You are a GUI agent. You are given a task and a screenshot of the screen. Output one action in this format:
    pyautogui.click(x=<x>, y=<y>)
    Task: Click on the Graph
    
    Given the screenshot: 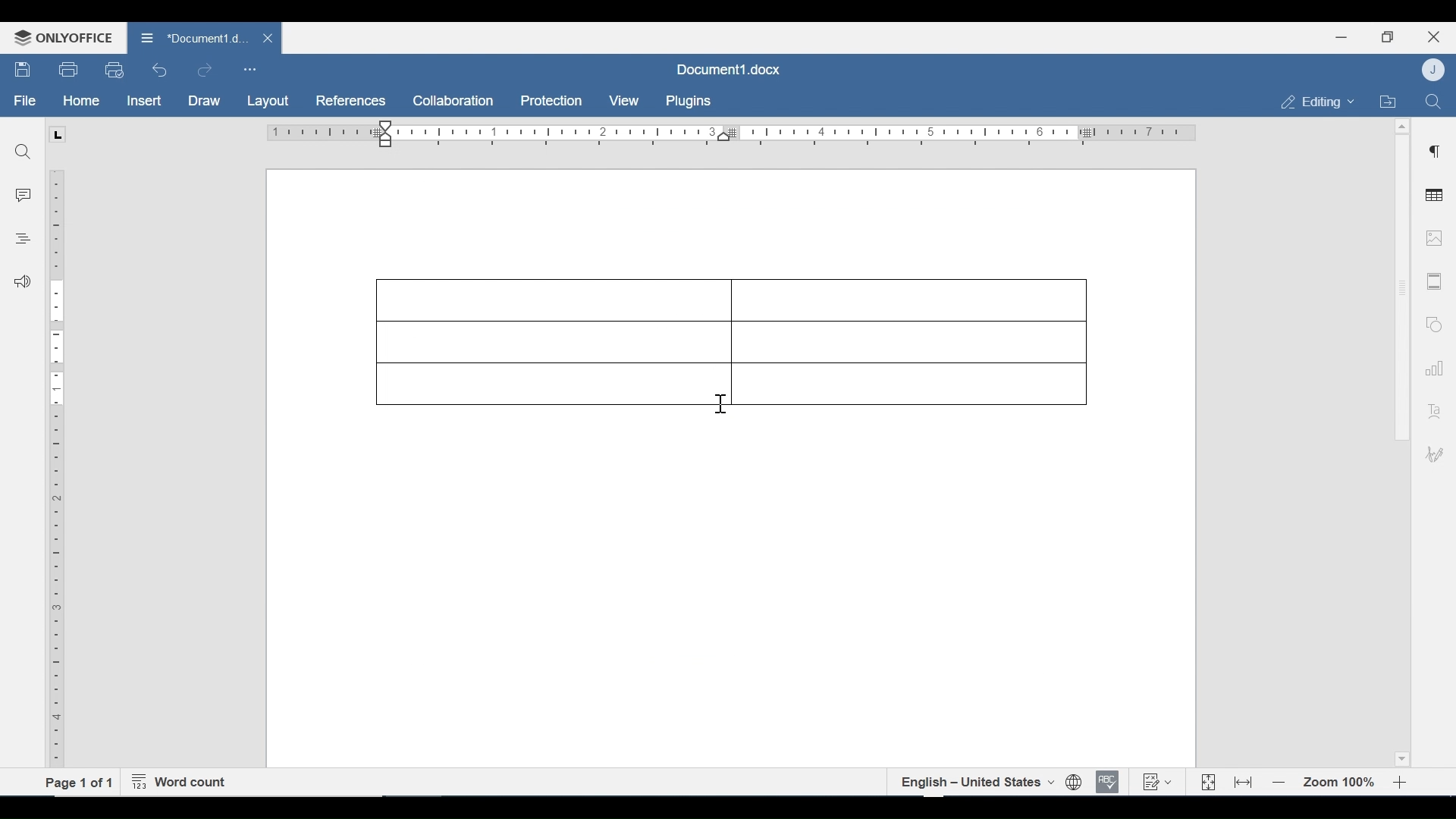 What is the action you would take?
    pyautogui.click(x=1431, y=366)
    